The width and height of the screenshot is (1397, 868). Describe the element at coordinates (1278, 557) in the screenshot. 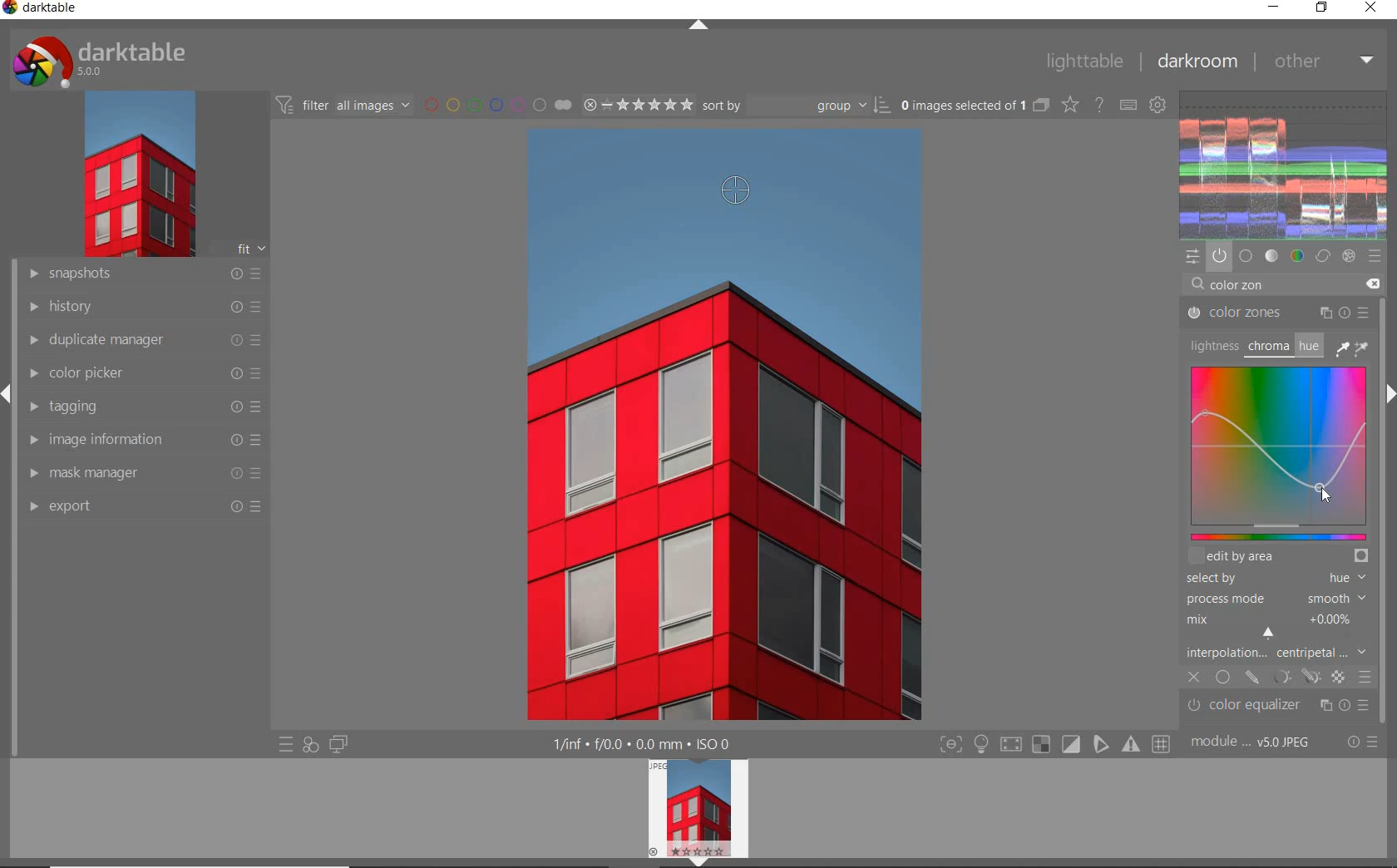

I see `EDIT BY AREA` at that location.